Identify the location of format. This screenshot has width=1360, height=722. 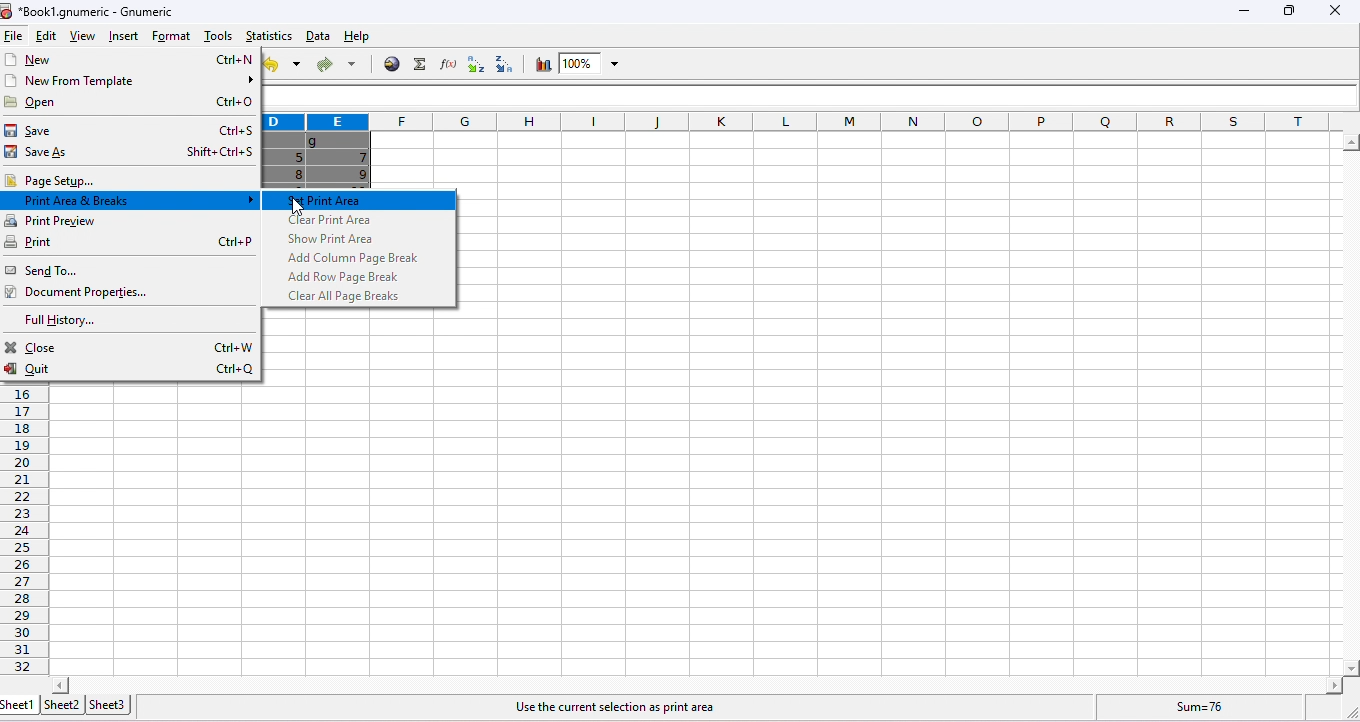
(173, 35).